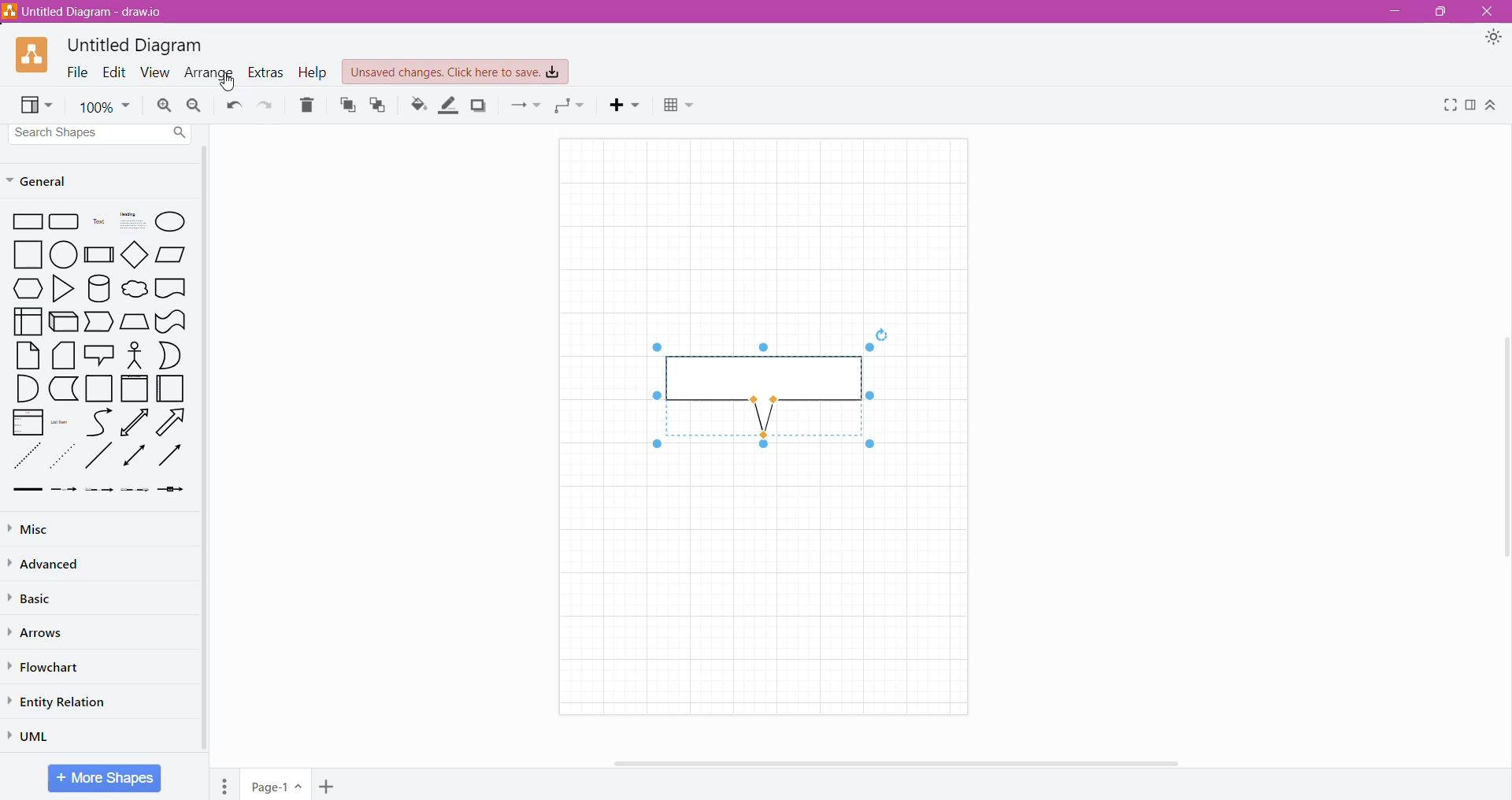  I want to click on Horizontal scroll Bar, so click(913, 763).